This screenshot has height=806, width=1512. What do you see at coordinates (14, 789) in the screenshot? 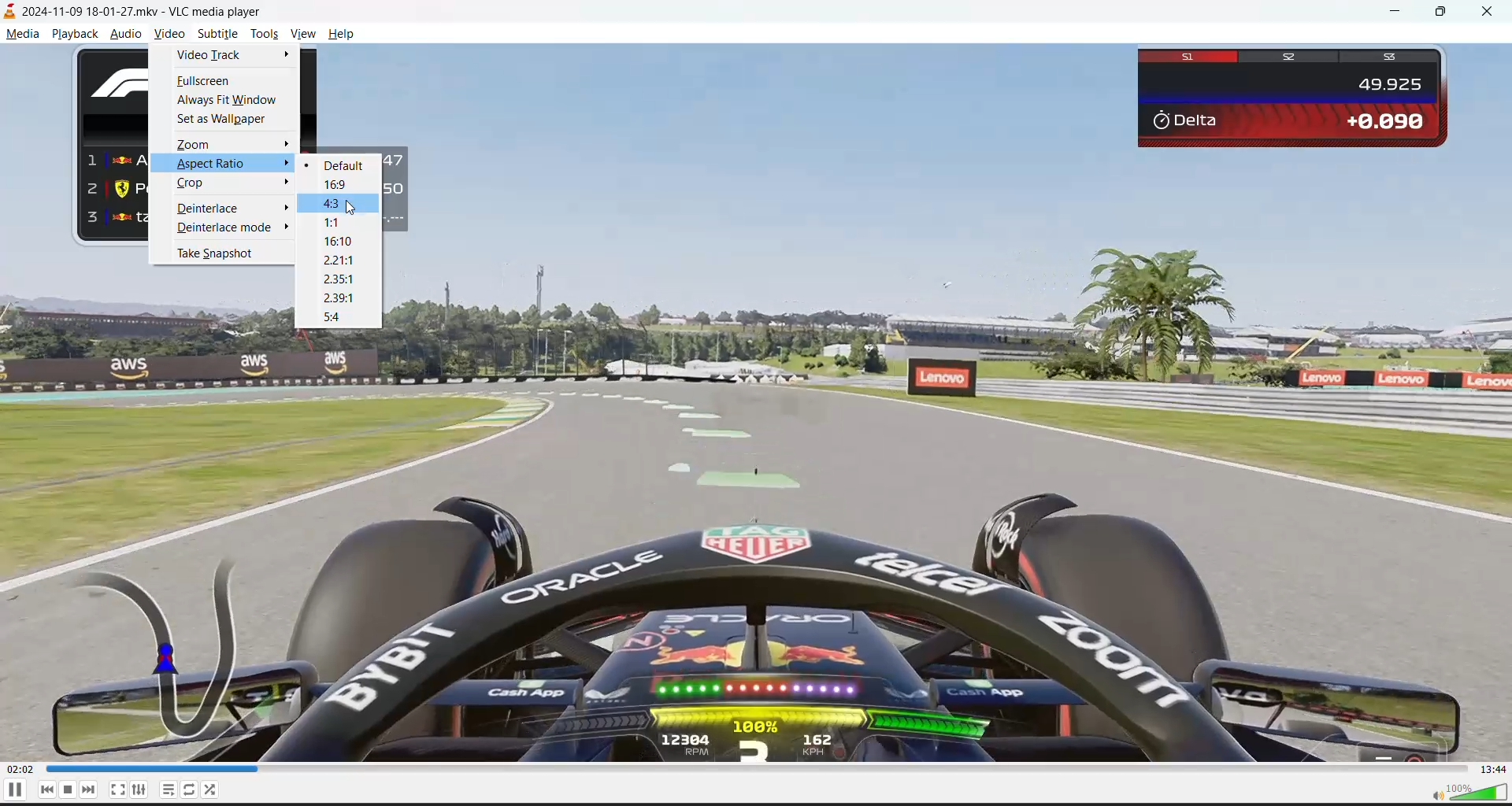
I see `pause` at bounding box center [14, 789].